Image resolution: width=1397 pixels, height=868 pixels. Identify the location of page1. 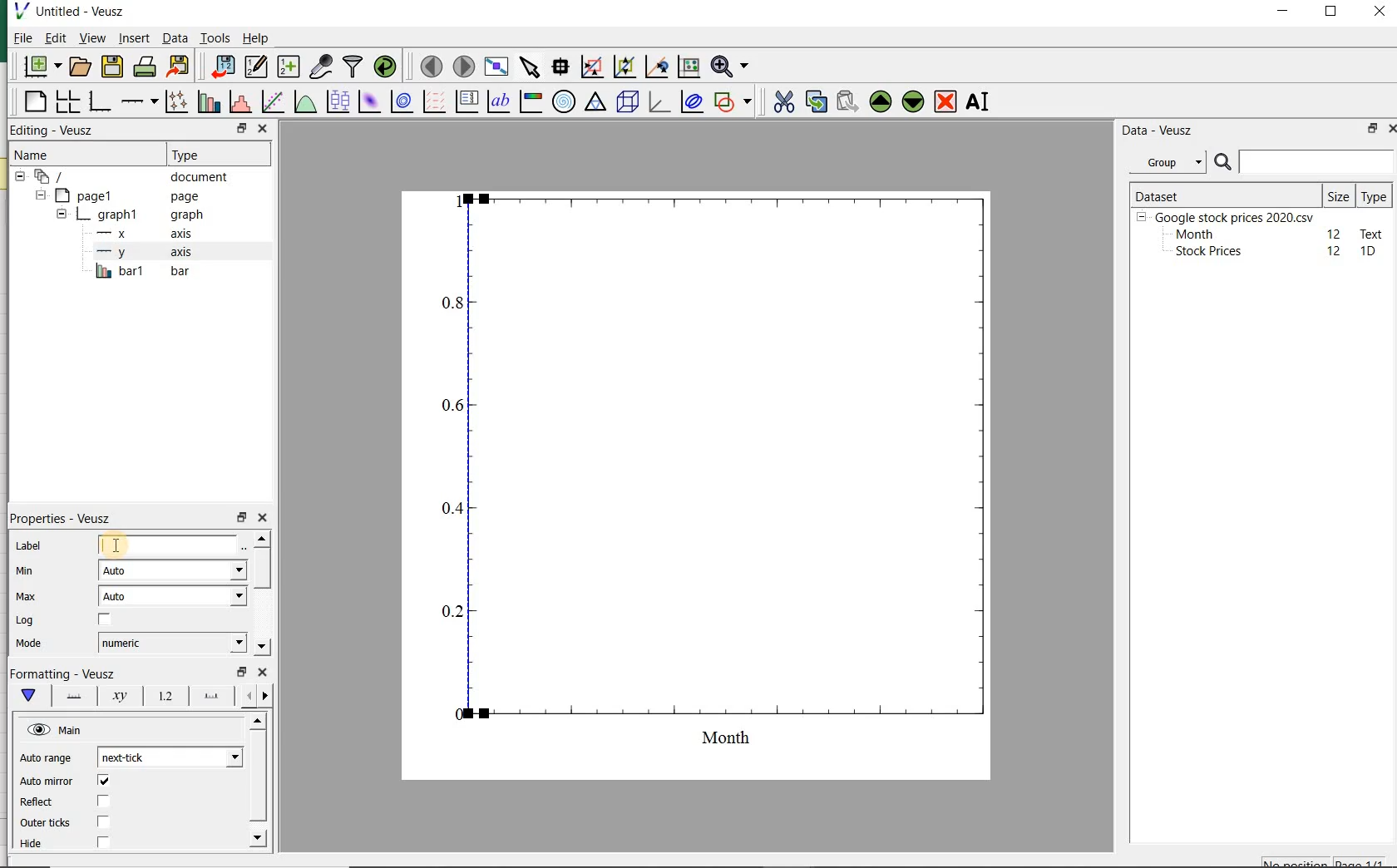
(121, 196).